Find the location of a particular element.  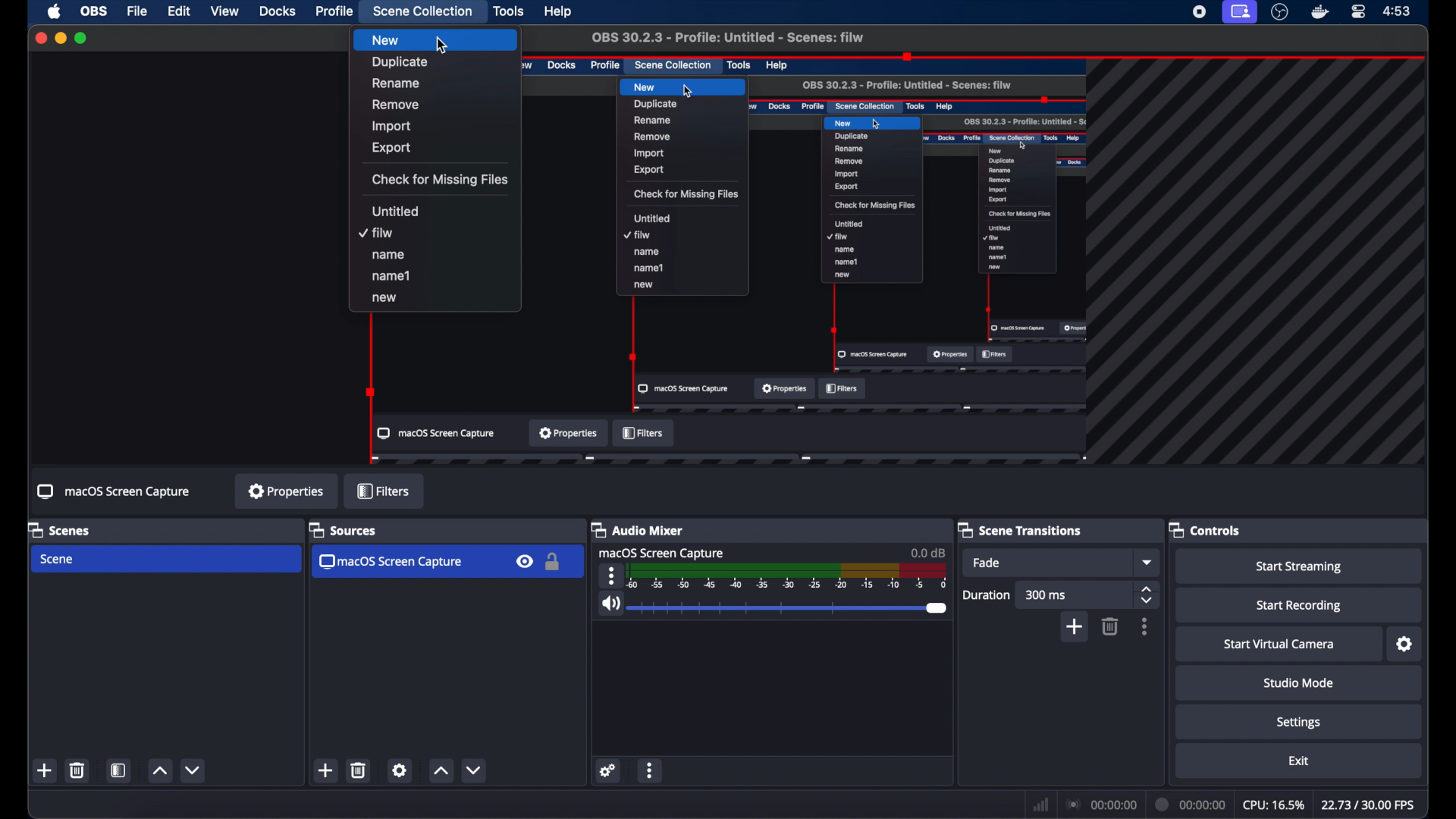

add scene is located at coordinates (325, 770).